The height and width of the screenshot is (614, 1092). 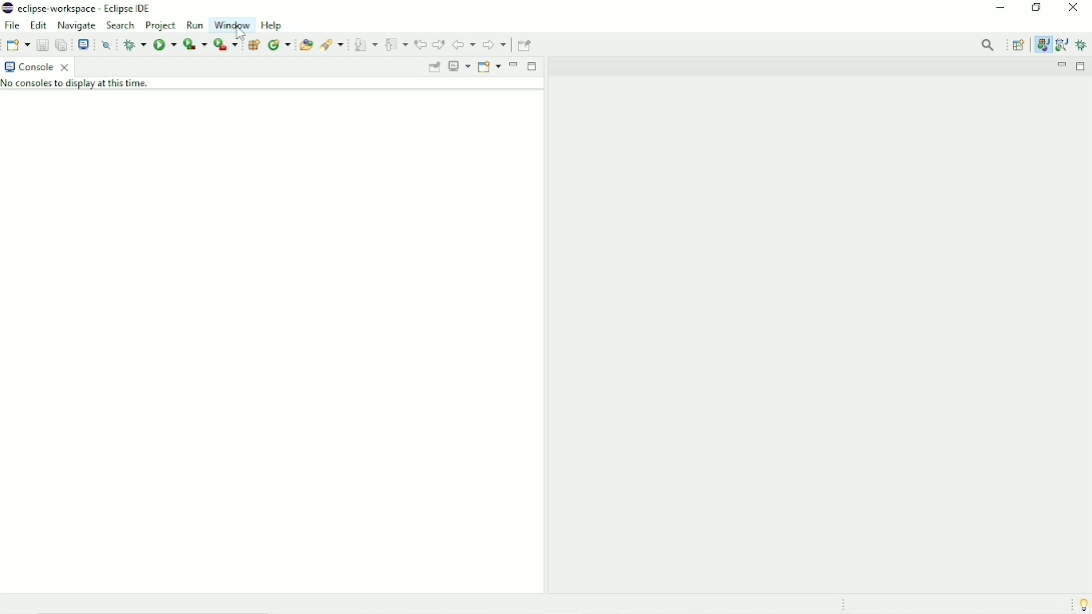 What do you see at coordinates (78, 25) in the screenshot?
I see `Navigate` at bounding box center [78, 25].